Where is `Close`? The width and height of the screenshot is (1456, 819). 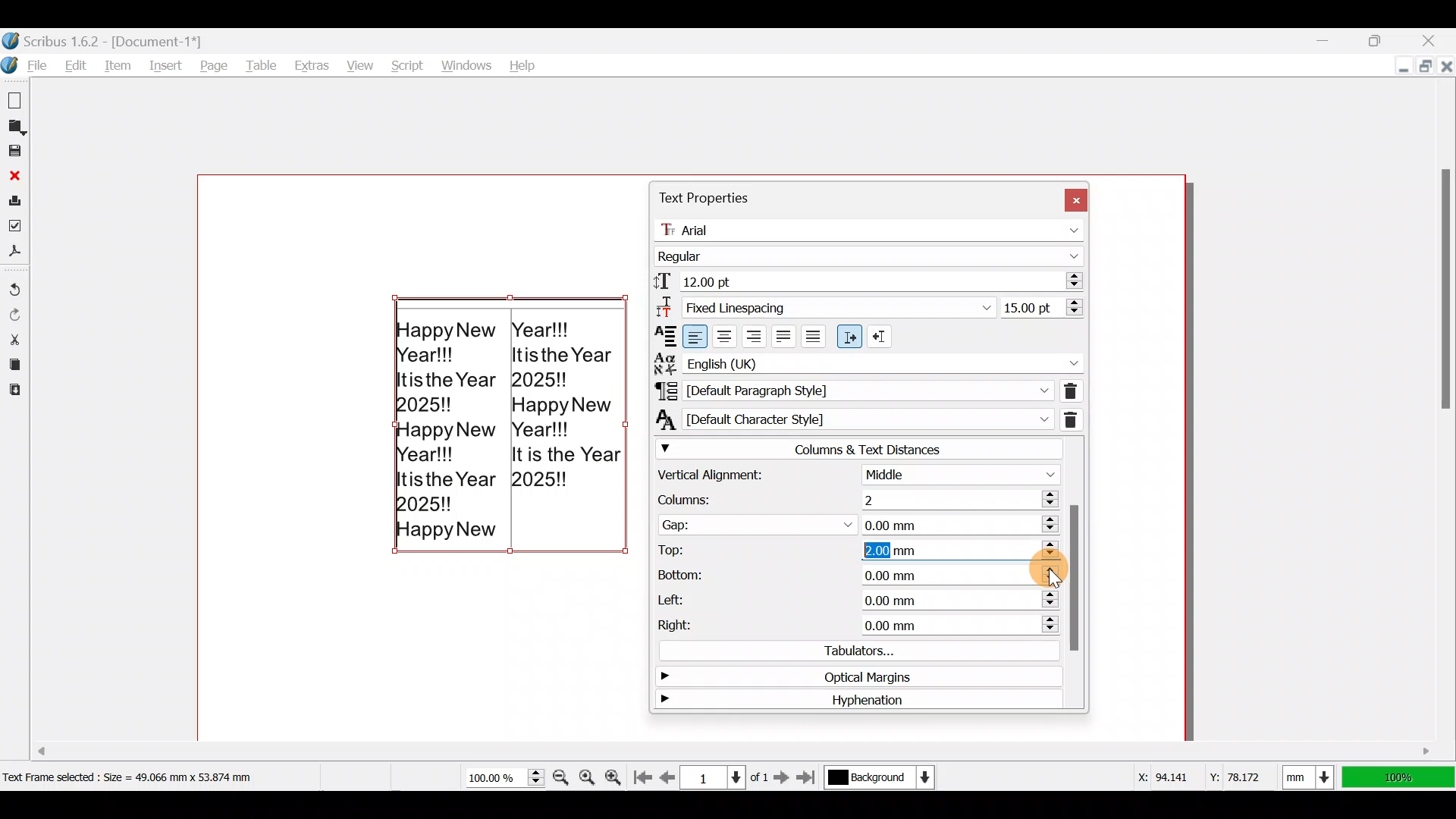 Close is located at coordinates (14, 175).